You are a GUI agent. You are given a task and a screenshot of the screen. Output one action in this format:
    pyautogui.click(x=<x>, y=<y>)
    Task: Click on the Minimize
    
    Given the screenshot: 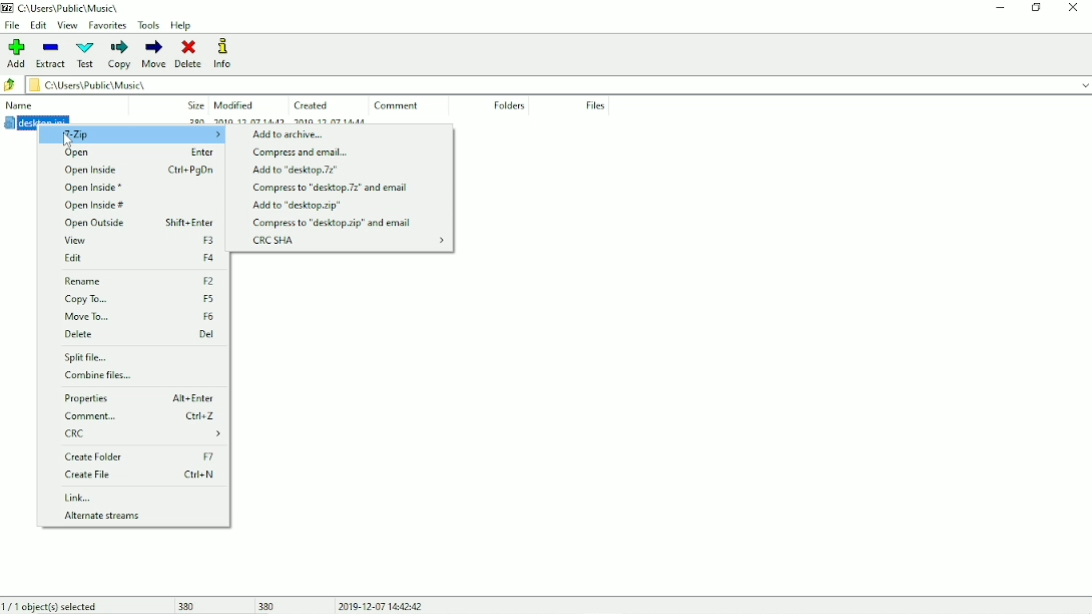 What is the action you would take?
    pyautogui.click(x=1001, y=8)
    